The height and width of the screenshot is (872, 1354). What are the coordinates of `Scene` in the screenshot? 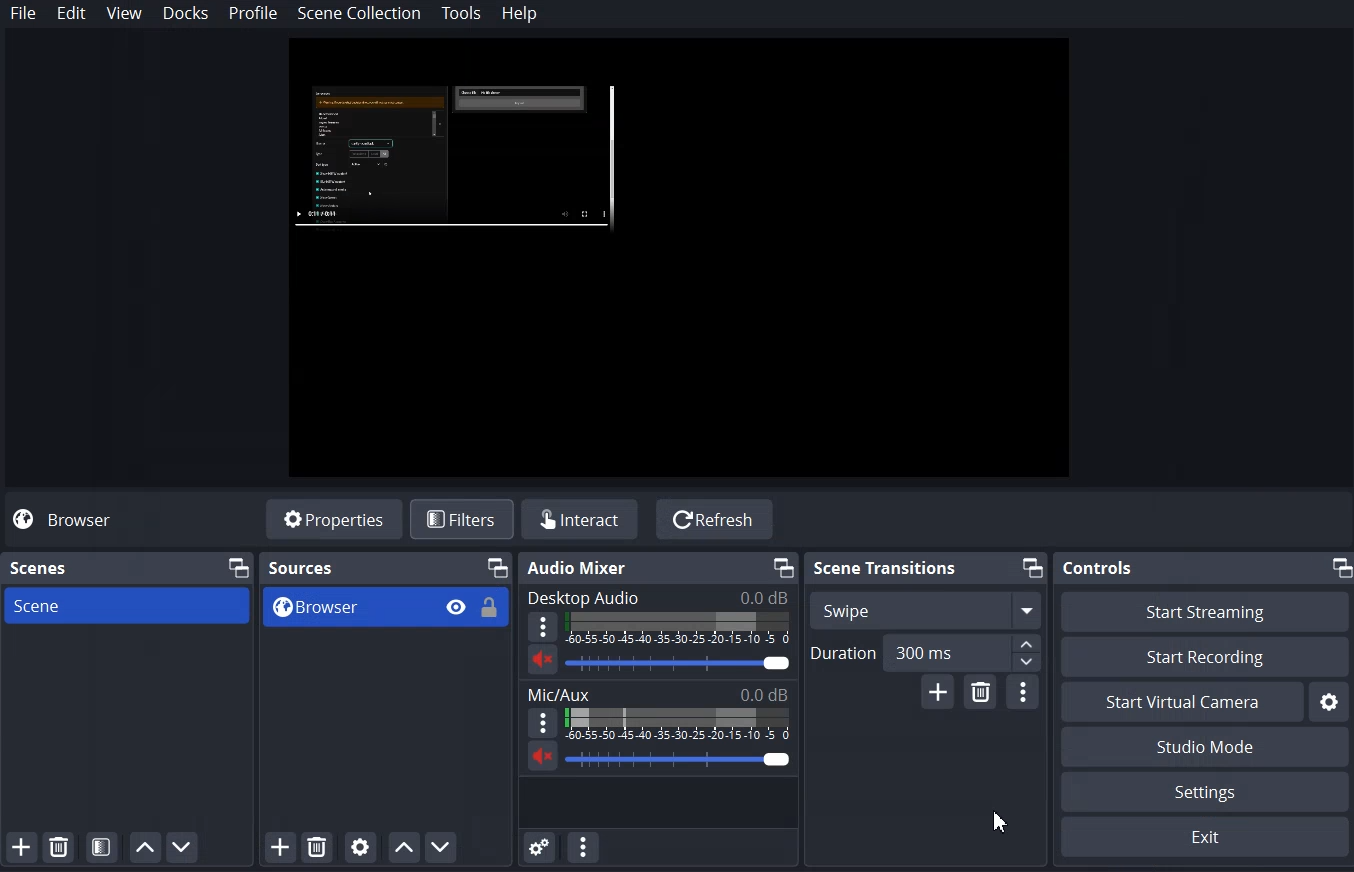 It's located at (40, 568).